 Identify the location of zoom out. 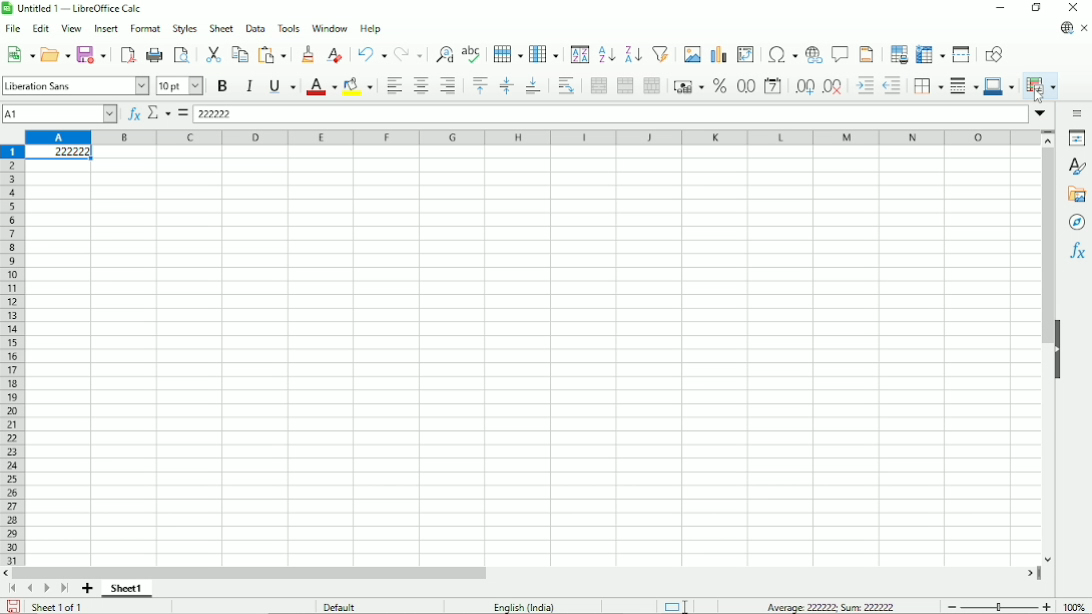
(951, 606).